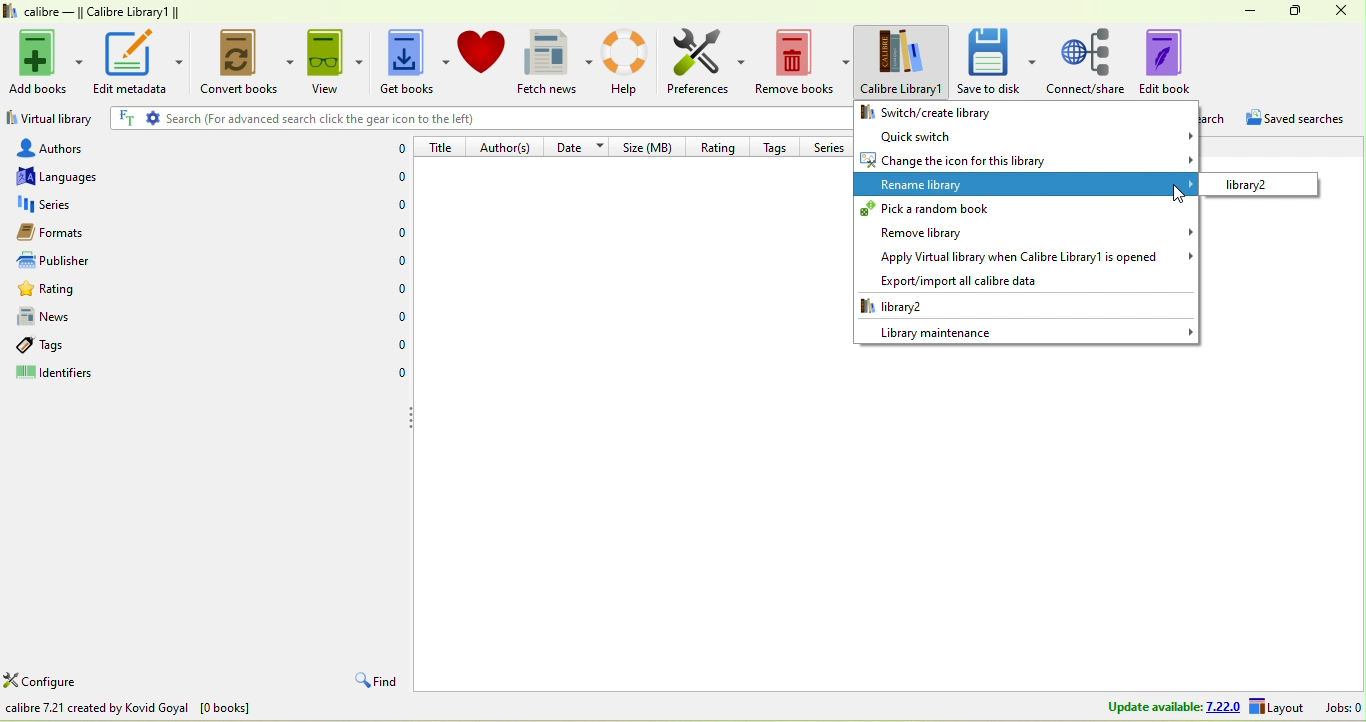  Describe the element at coordinates (1024, 232) in the screenshot. I see `remove library` at that location.